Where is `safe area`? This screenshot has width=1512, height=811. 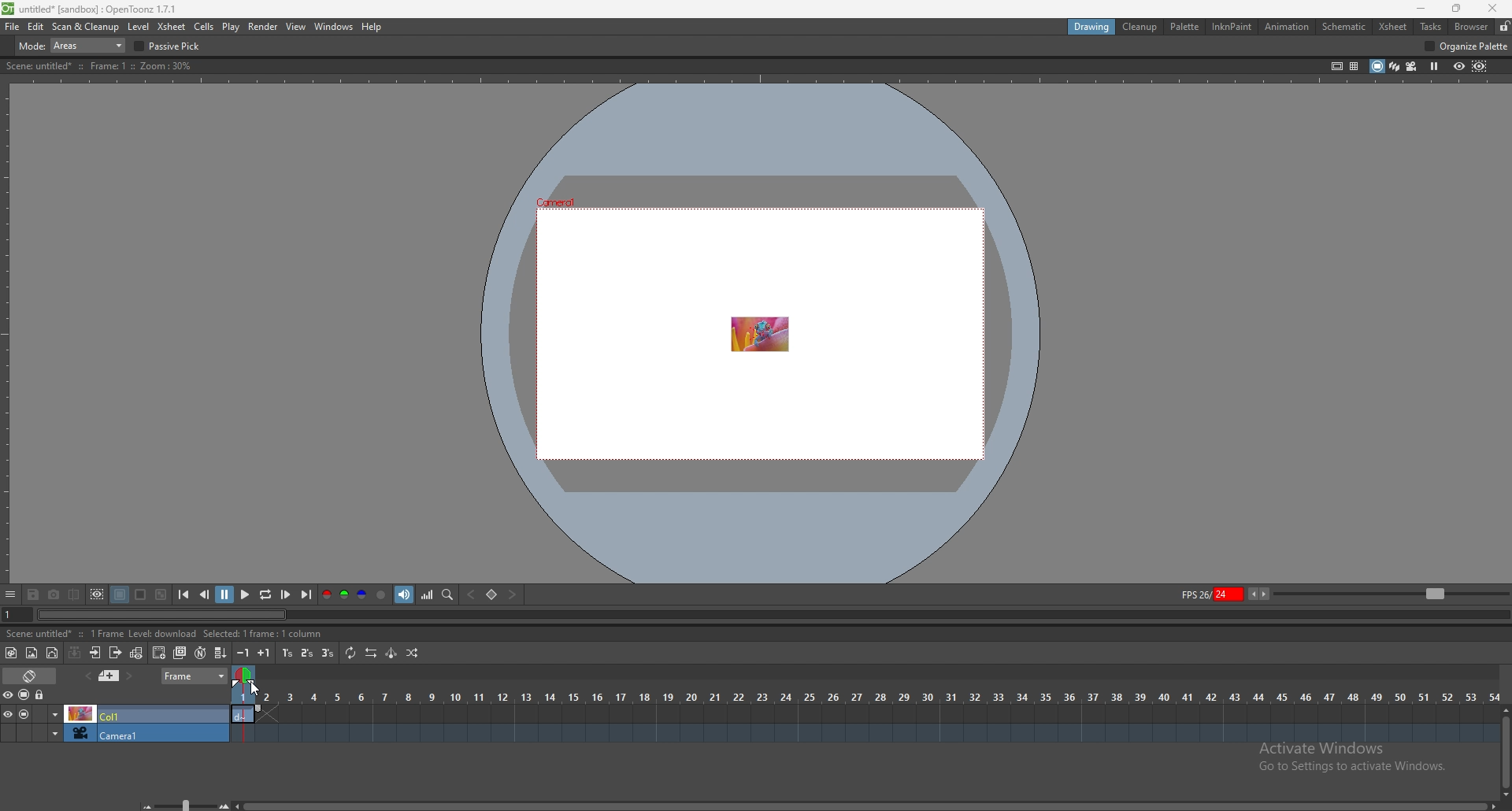 safe area is located at coordinates (1338, 66).